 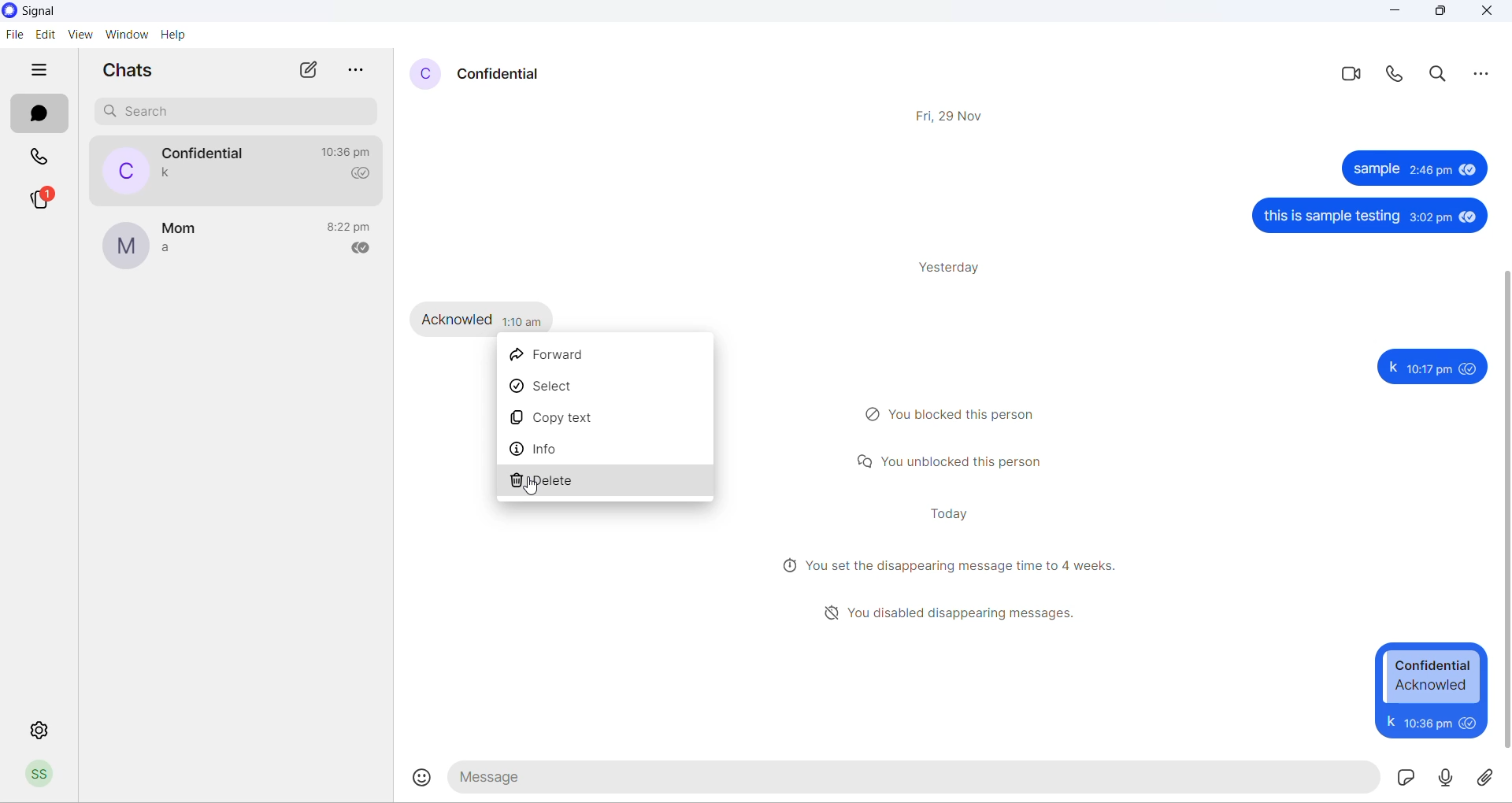 I want to click on help, so click(x=176, y=37).